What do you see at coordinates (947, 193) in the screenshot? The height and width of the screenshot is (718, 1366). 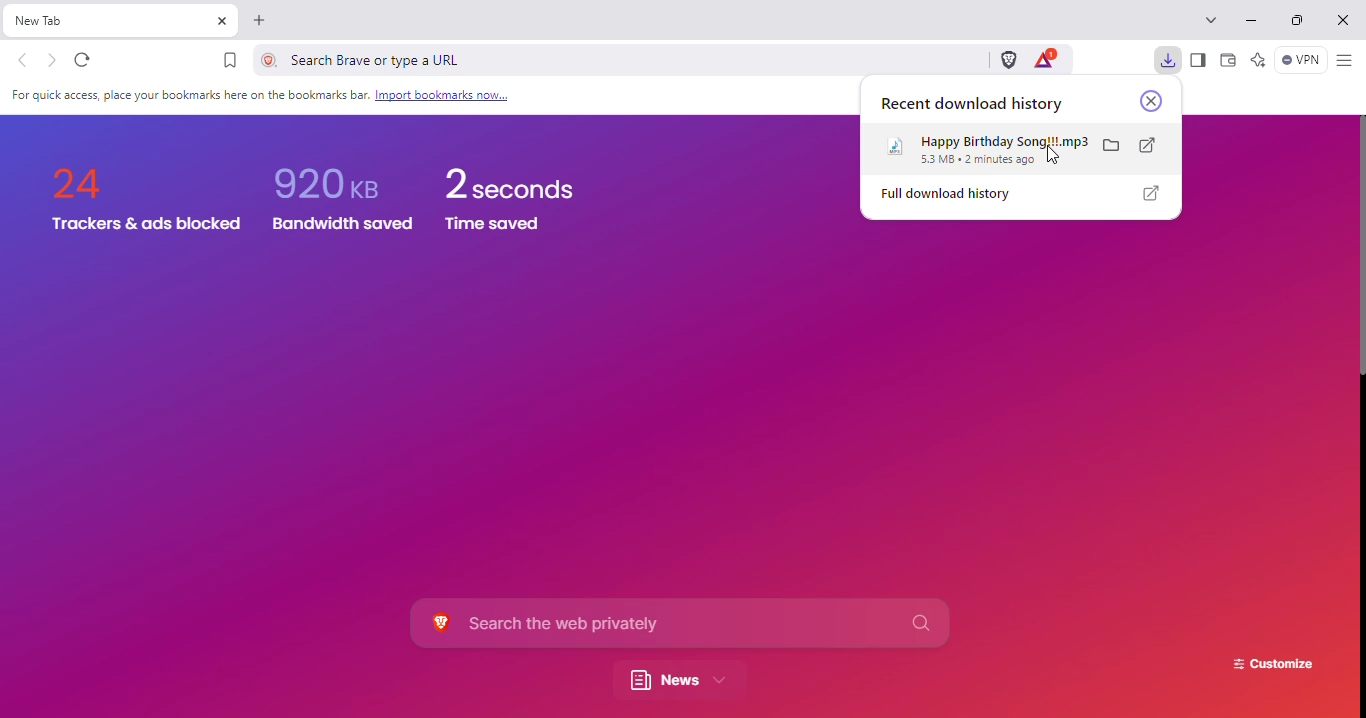 I see `full download history` at bounding box center [947, 193].